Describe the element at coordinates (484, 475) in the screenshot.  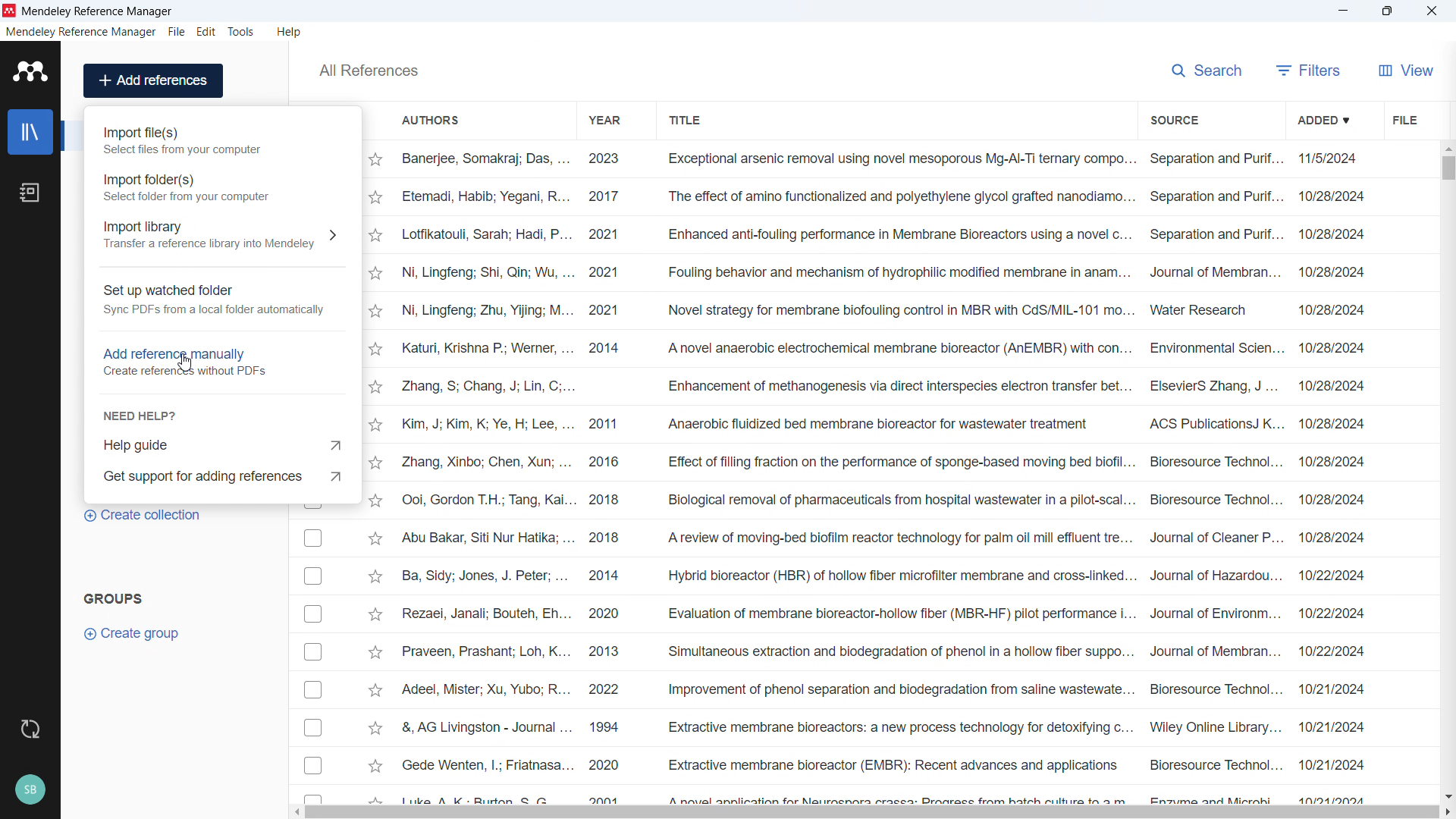
I see `Authors of individual entries ` at that location.